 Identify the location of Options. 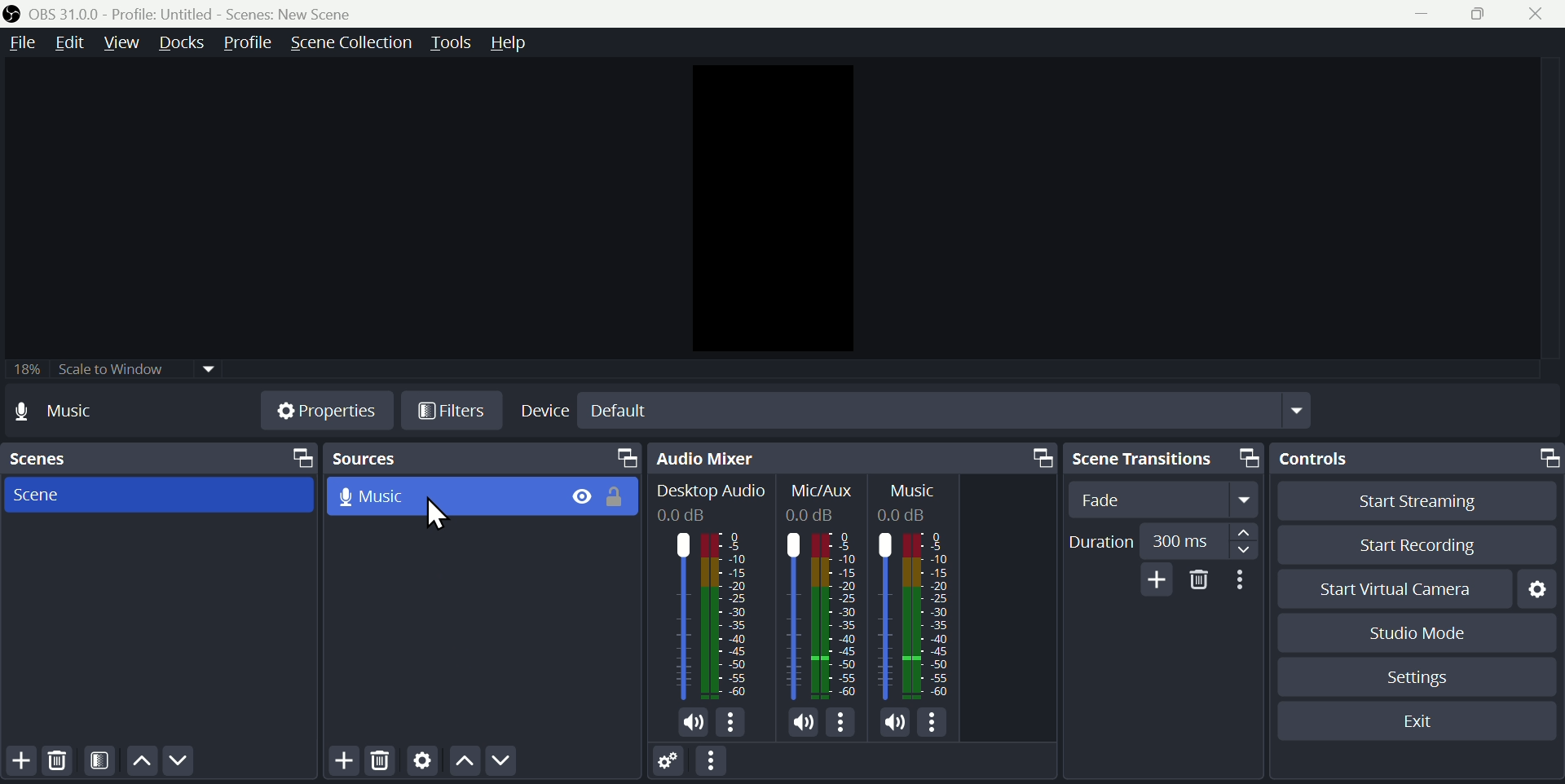
(732, 725).